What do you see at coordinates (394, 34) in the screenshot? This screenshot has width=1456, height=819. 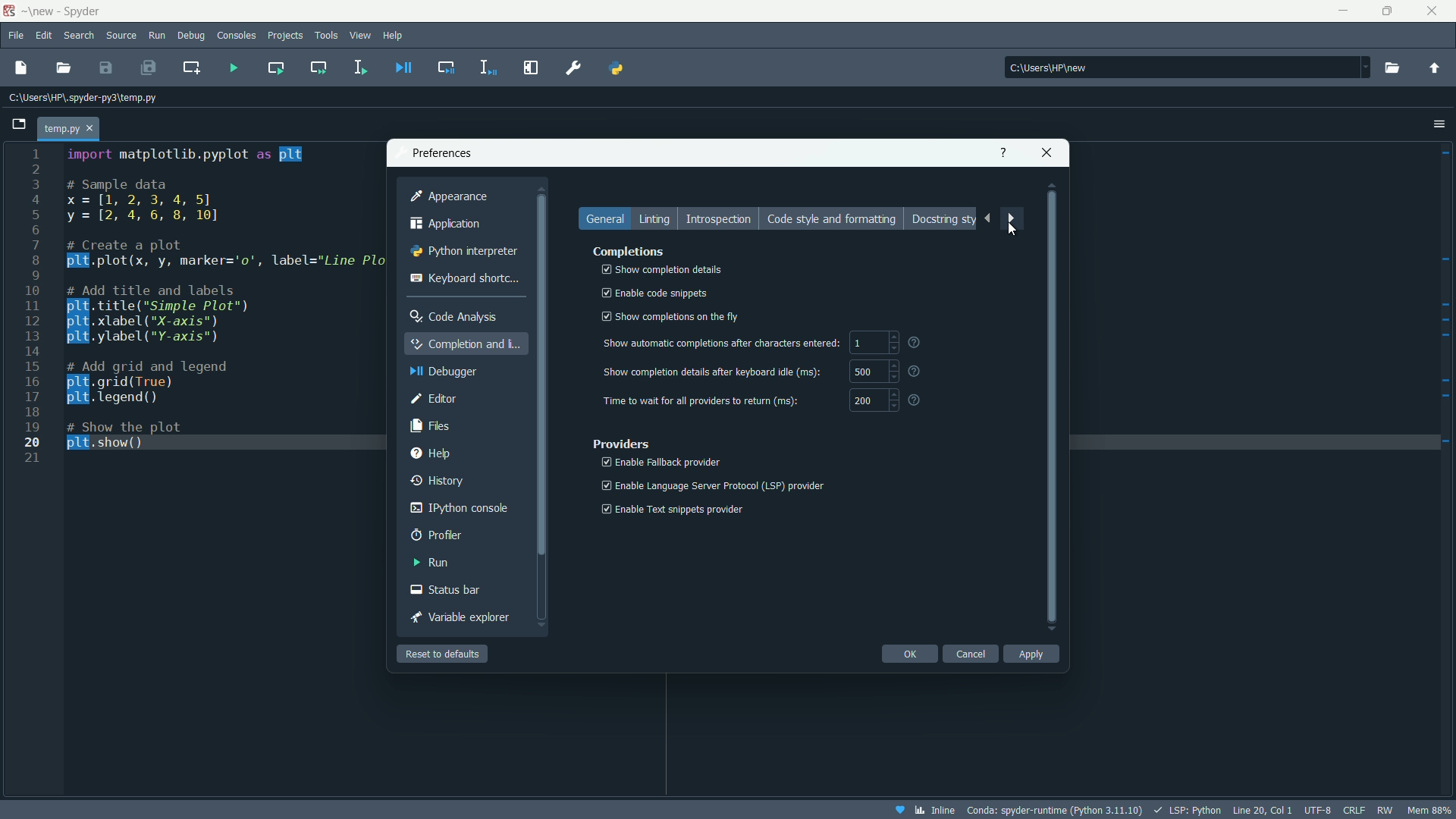 I see `help` at bounding box center [394, 34].